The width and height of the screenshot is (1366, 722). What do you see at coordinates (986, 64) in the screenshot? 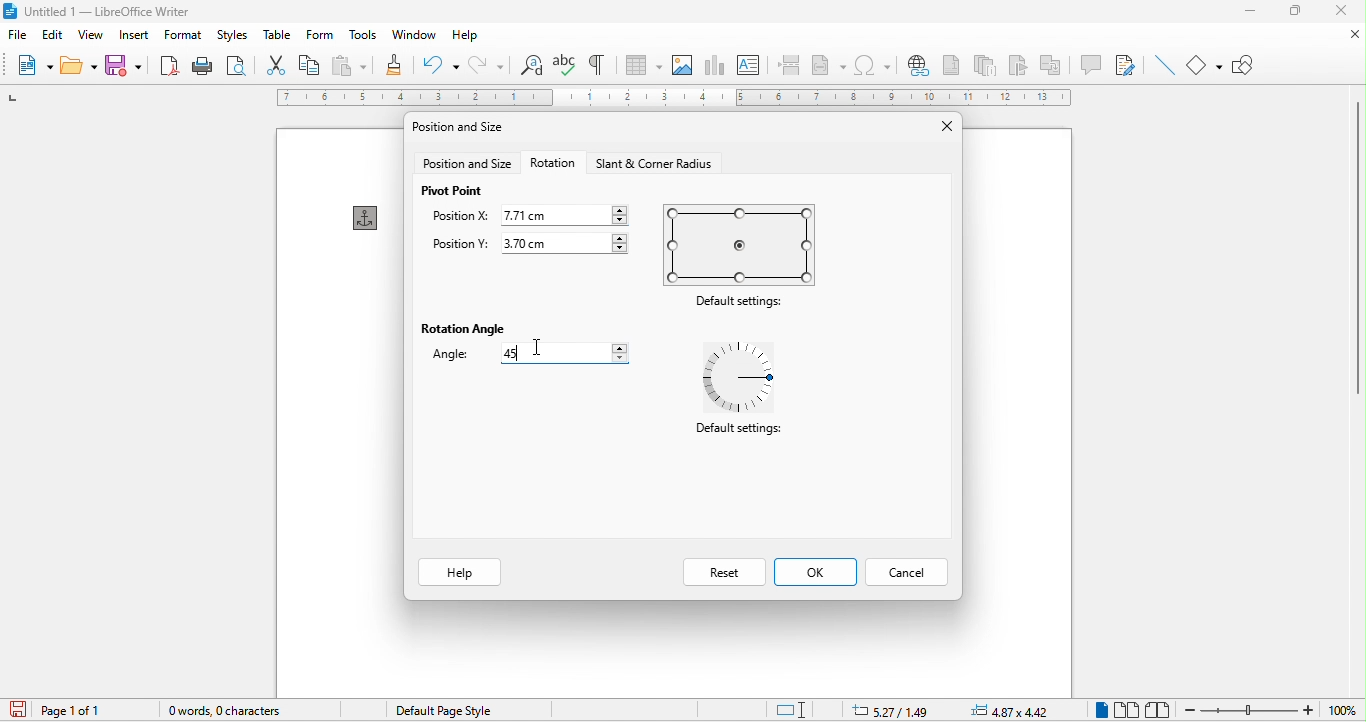
I see `endnote` at bounding box center [986, 64].